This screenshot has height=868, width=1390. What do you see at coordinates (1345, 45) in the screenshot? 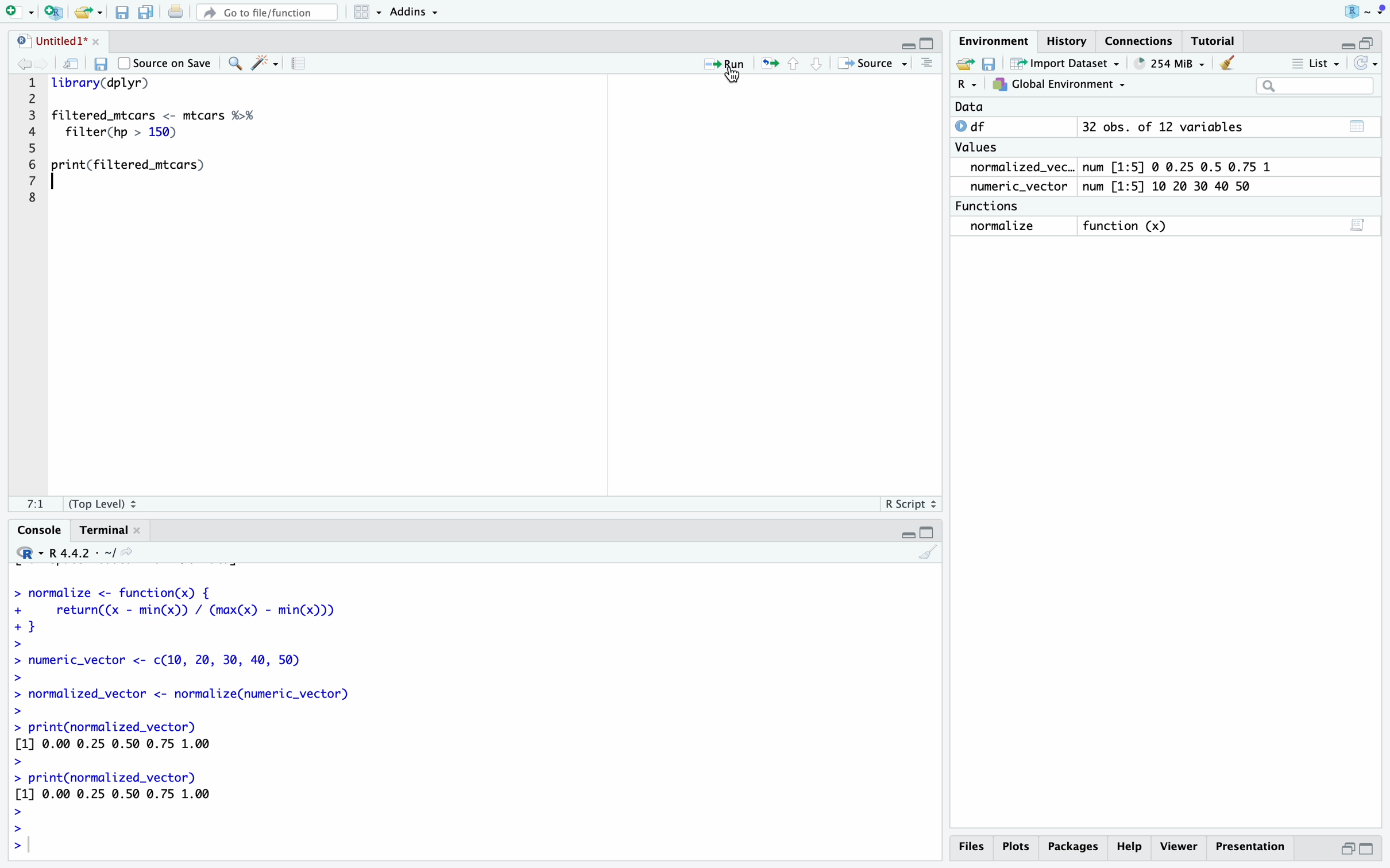
I see `minimize` at bounding box center [1345, 45].